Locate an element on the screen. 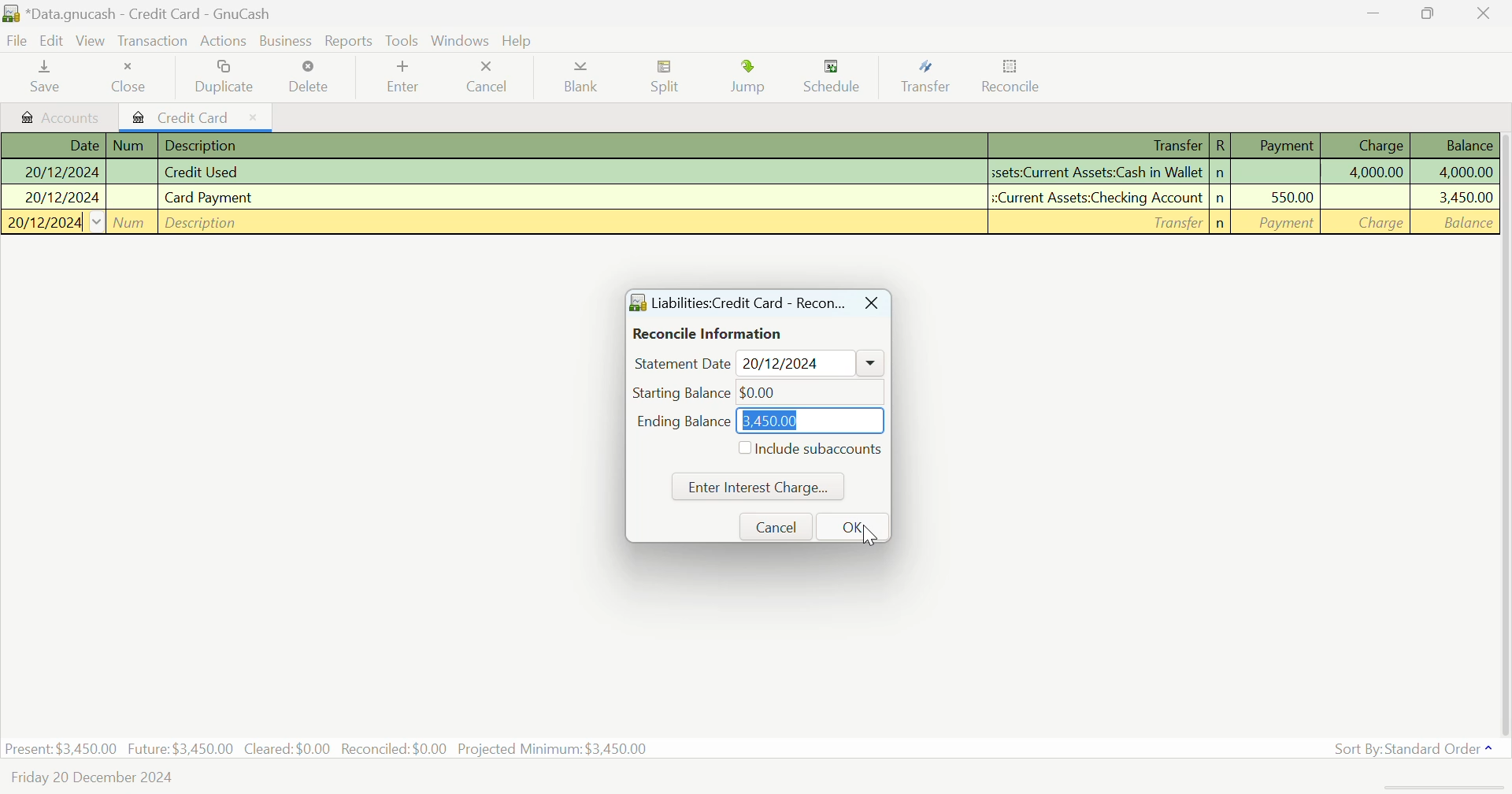 Image resolution: width=1512 pixels, height=794 pixels. Reconcile Information is located at coordinates (709, 335).